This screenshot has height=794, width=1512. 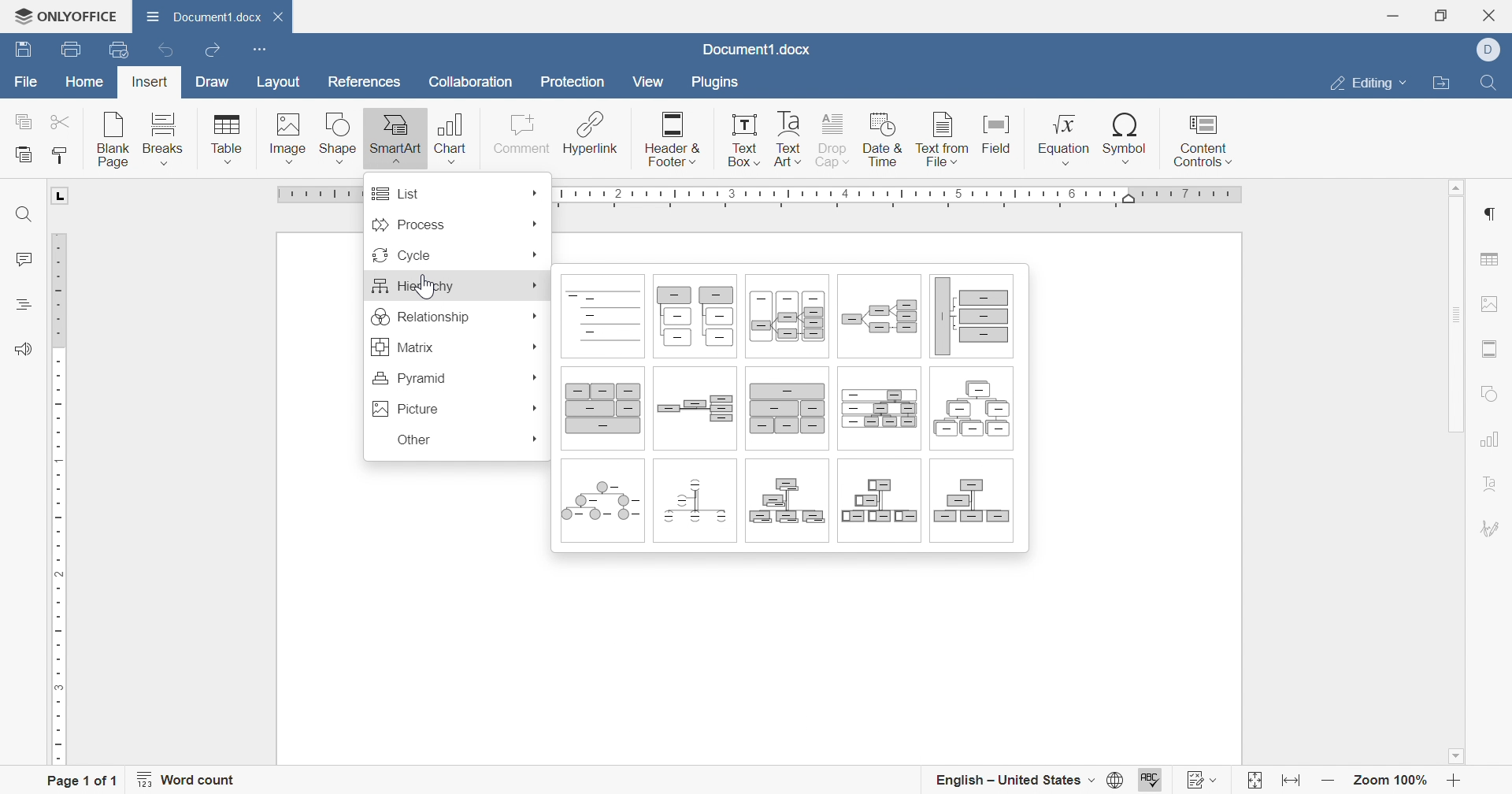 What do you see at coordinates (187, 780) in the screenshot?
I see `Word count` at bounding box center [187, 780].